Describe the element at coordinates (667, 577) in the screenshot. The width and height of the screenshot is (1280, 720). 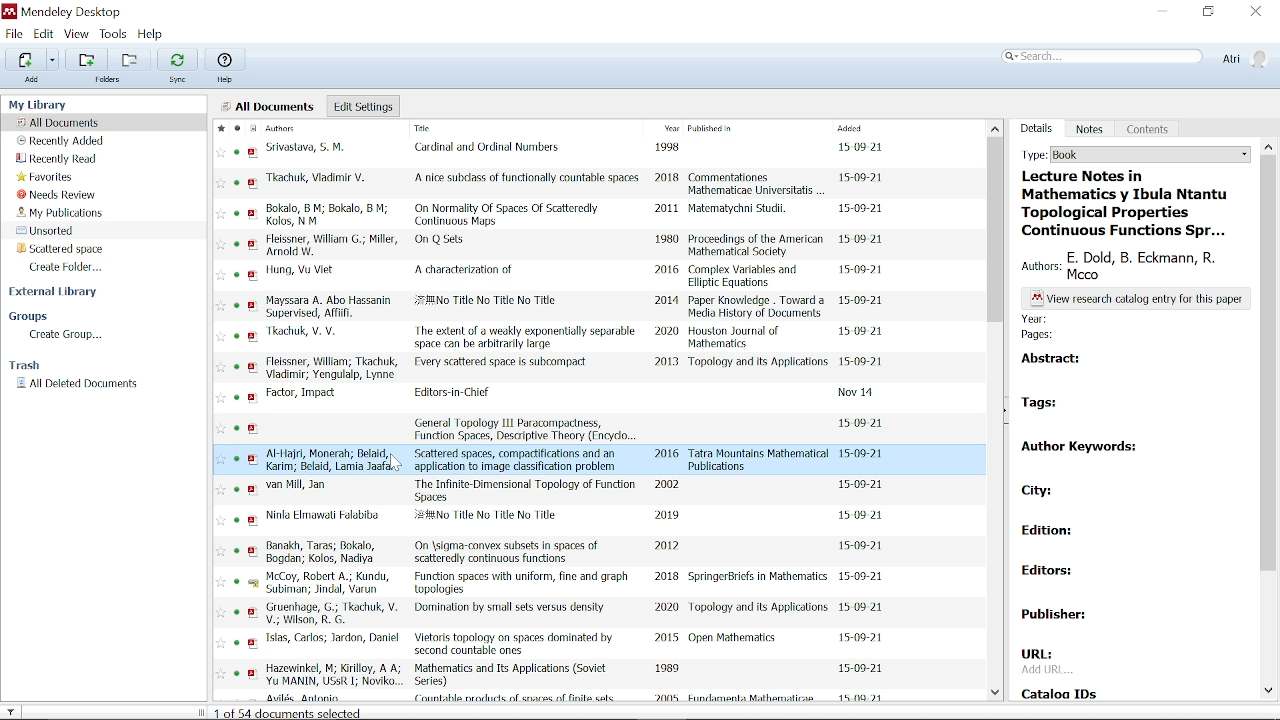
I see `2018` at that location.